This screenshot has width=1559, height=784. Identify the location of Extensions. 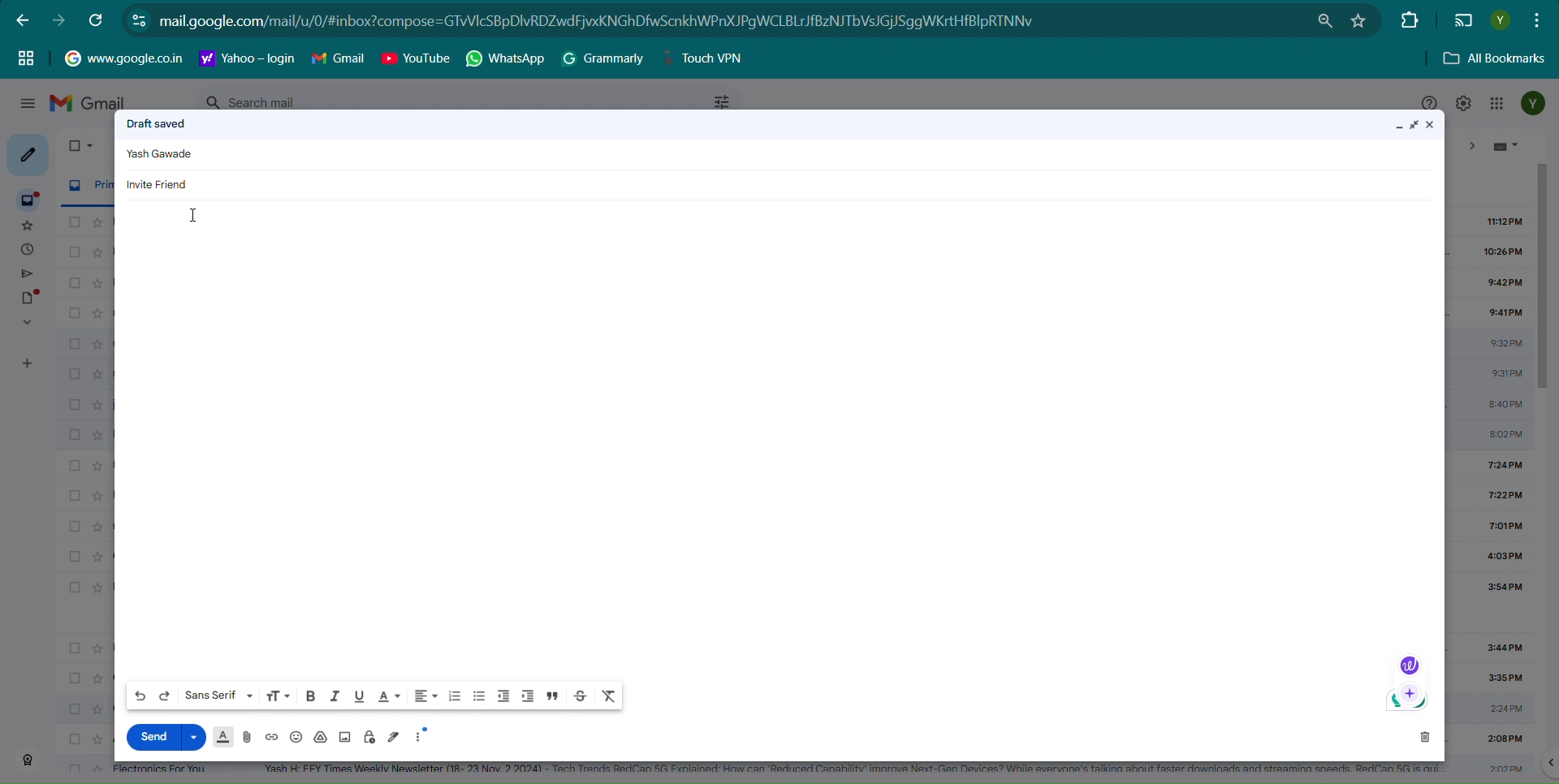
(1407, 19).